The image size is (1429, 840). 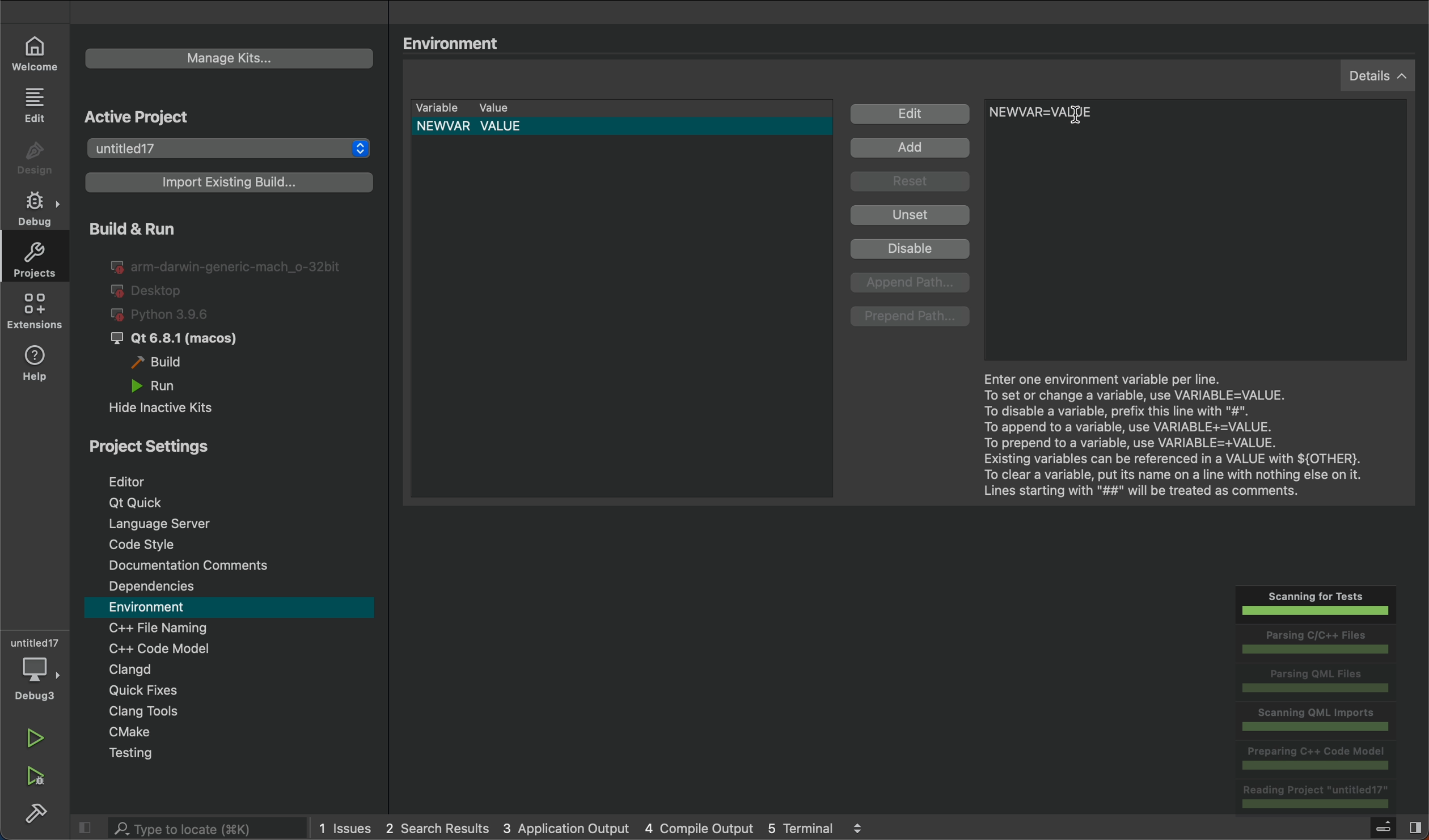 I want to click on editor, so click(x=227, y=478).